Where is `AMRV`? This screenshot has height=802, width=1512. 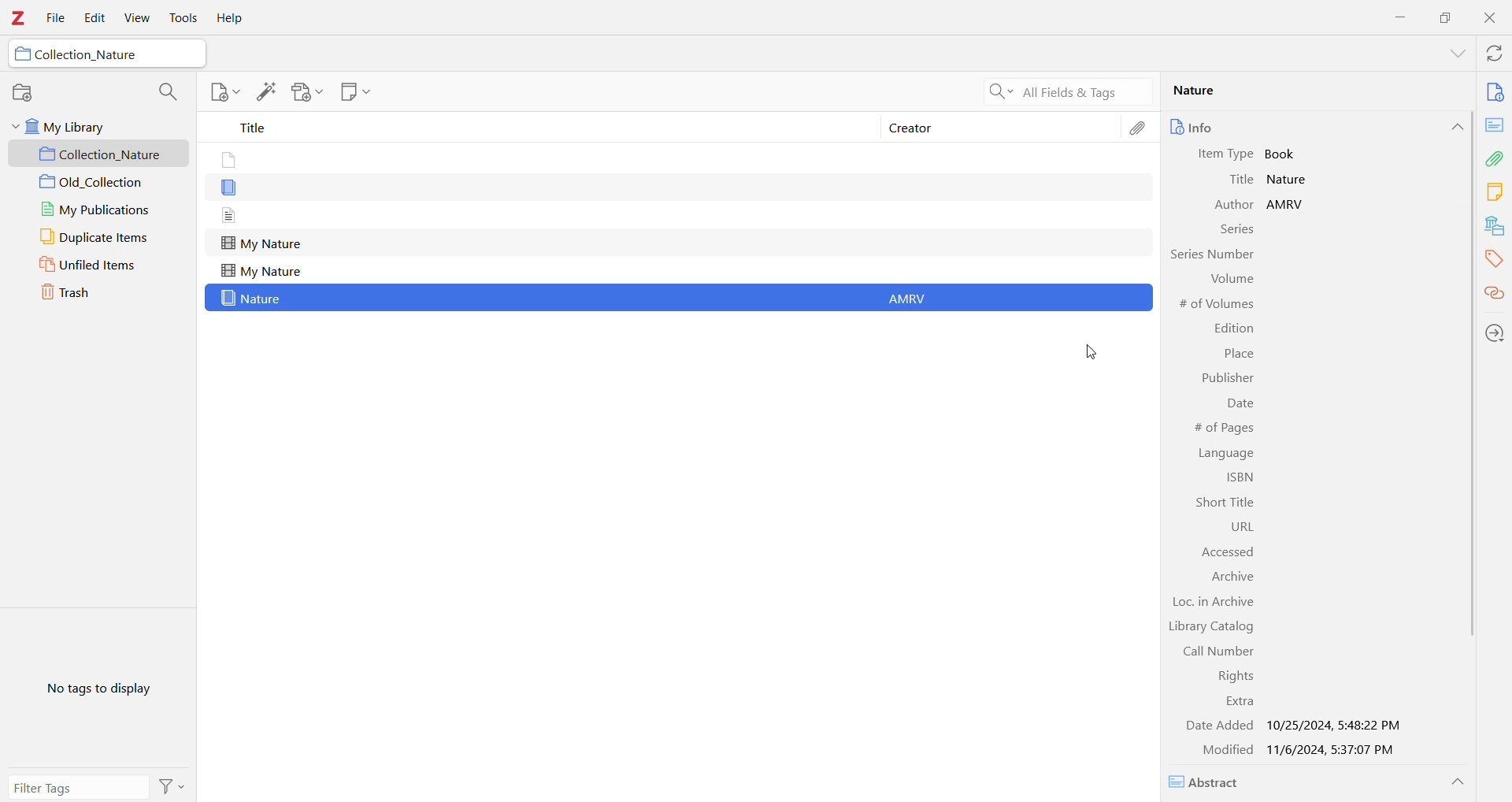
AMRV is located at coordinates (914, 299).